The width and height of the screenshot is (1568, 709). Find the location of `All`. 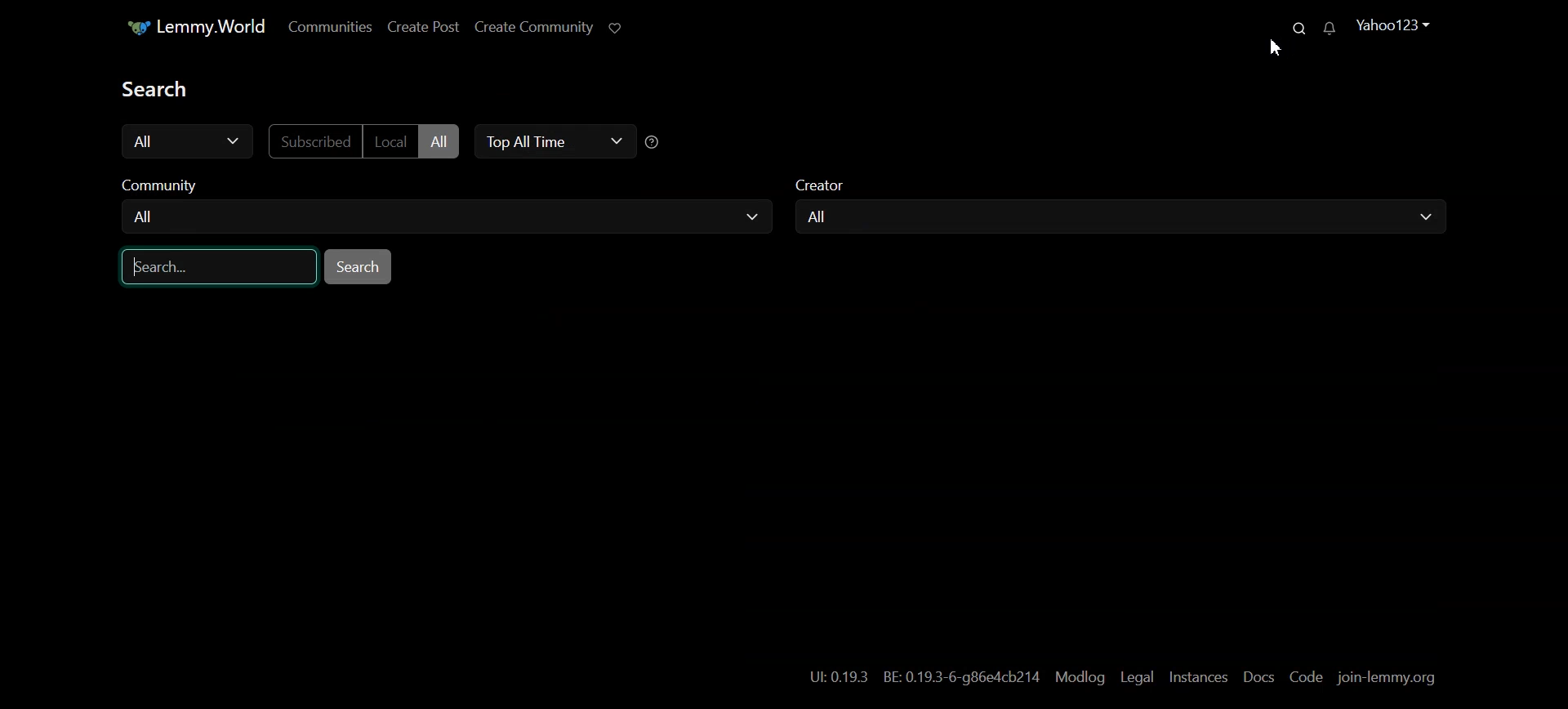

All is located at coordinates (187, 140).